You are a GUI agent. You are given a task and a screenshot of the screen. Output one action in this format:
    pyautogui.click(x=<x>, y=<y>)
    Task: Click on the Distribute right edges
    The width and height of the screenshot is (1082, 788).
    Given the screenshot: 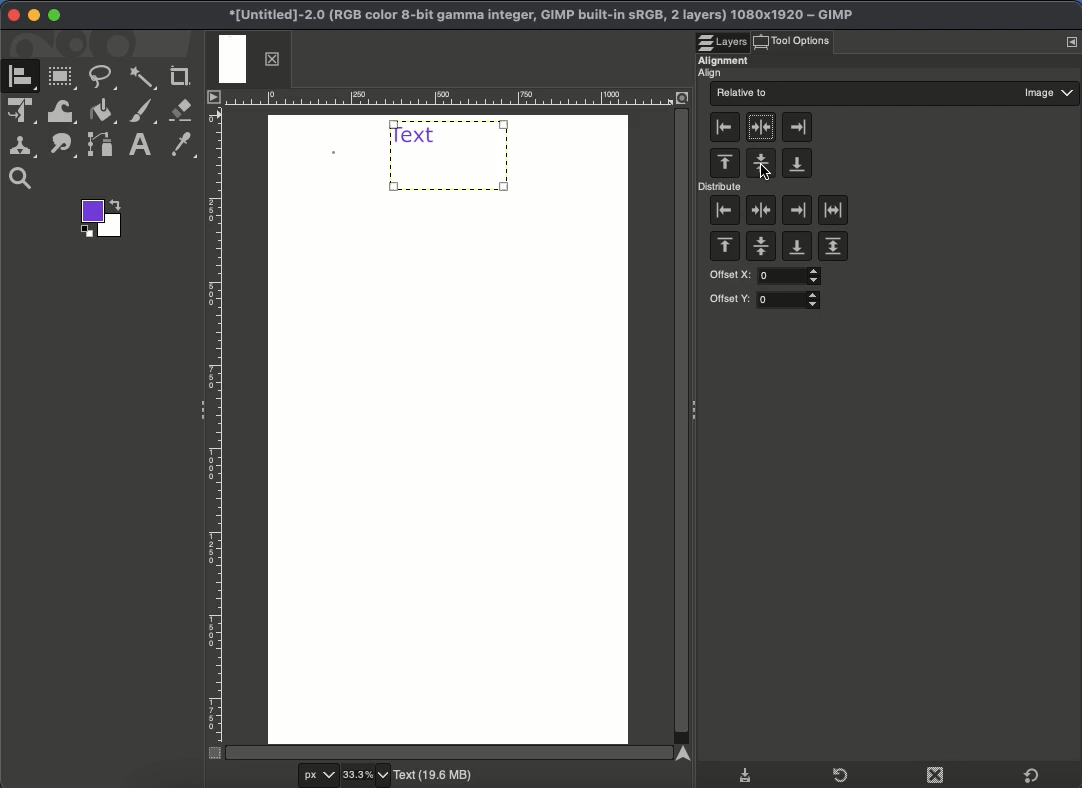 What is the action you would take?
    pyautogui.click(x=796, y=210)
    